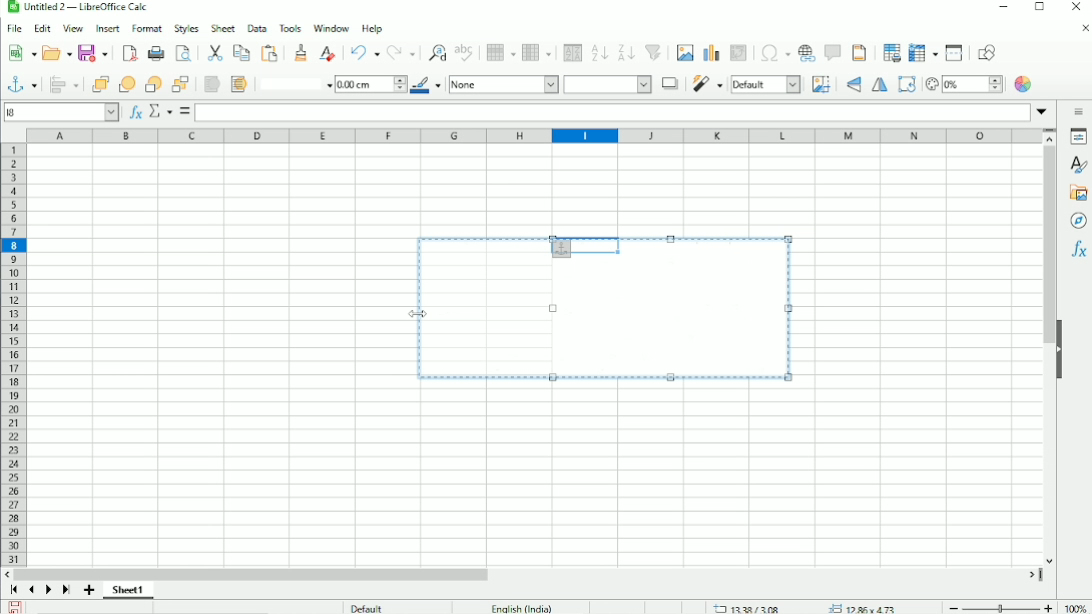 Image resolution: width=1092 pixels, height=614 pixels. What do you see at coordinates (880, 86) in the screenshot?
I see `Flip horizontally` at bounding box center [880, 86].